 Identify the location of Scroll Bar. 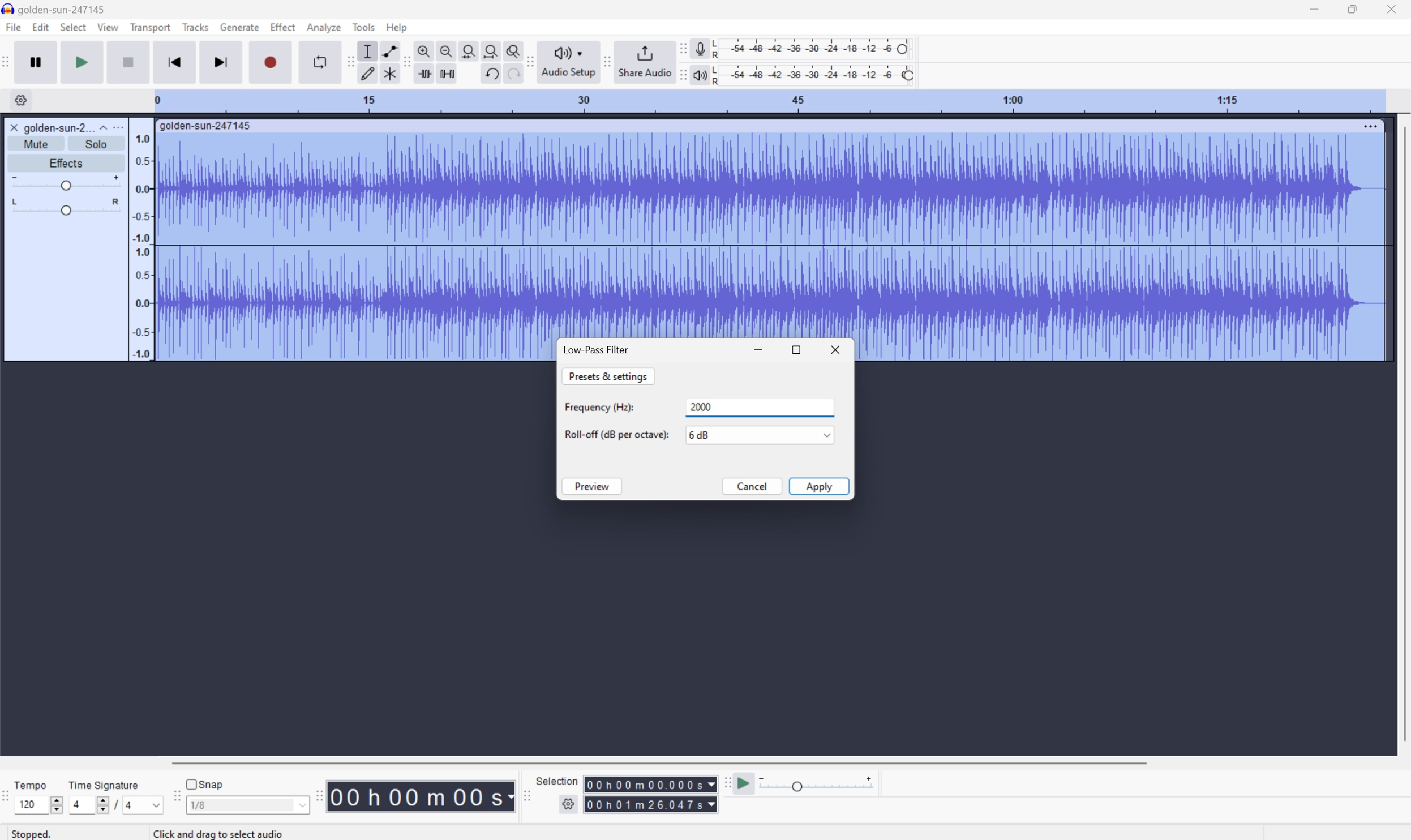
(1402, 434).